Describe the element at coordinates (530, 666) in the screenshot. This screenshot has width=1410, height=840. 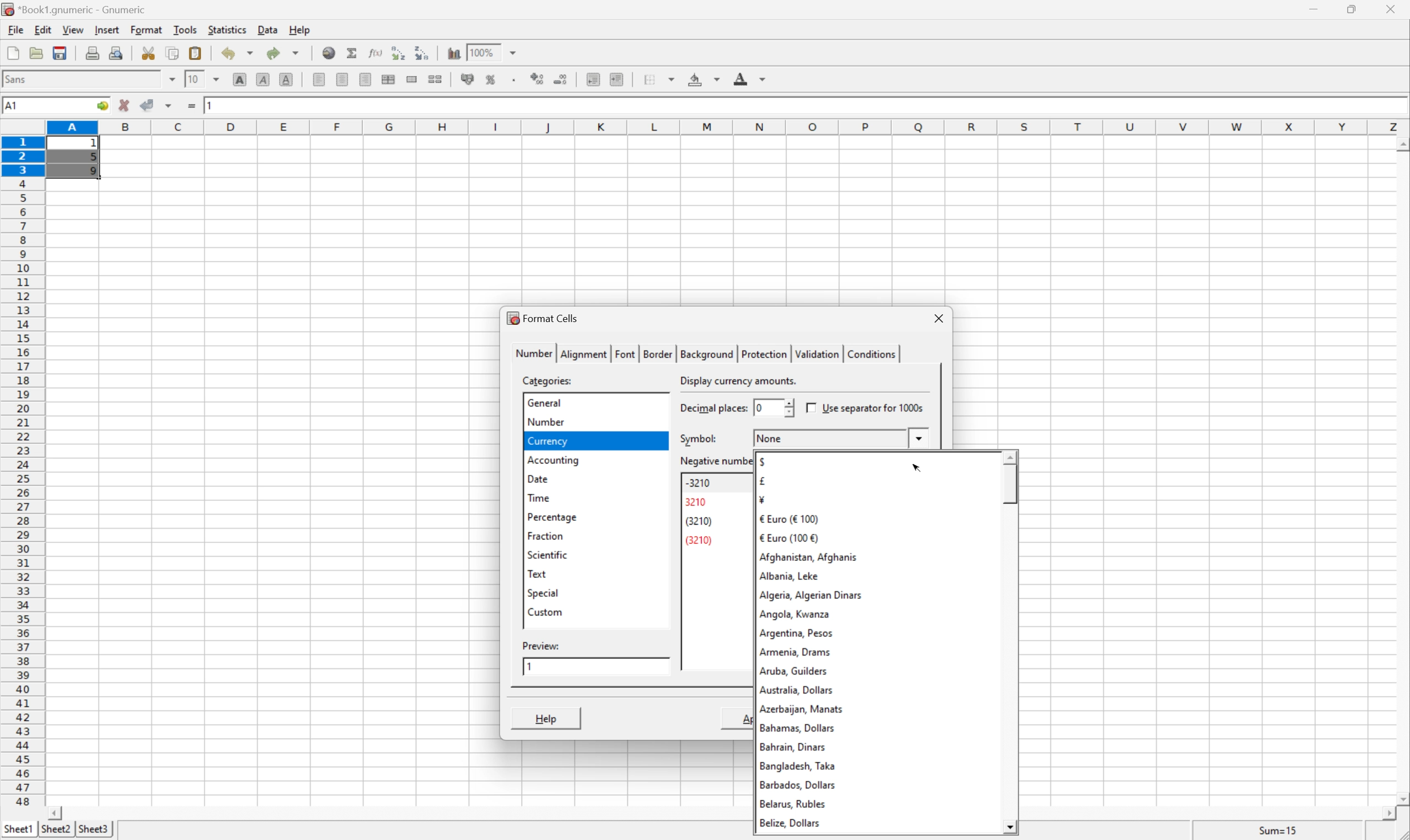
I see `1` at that location.